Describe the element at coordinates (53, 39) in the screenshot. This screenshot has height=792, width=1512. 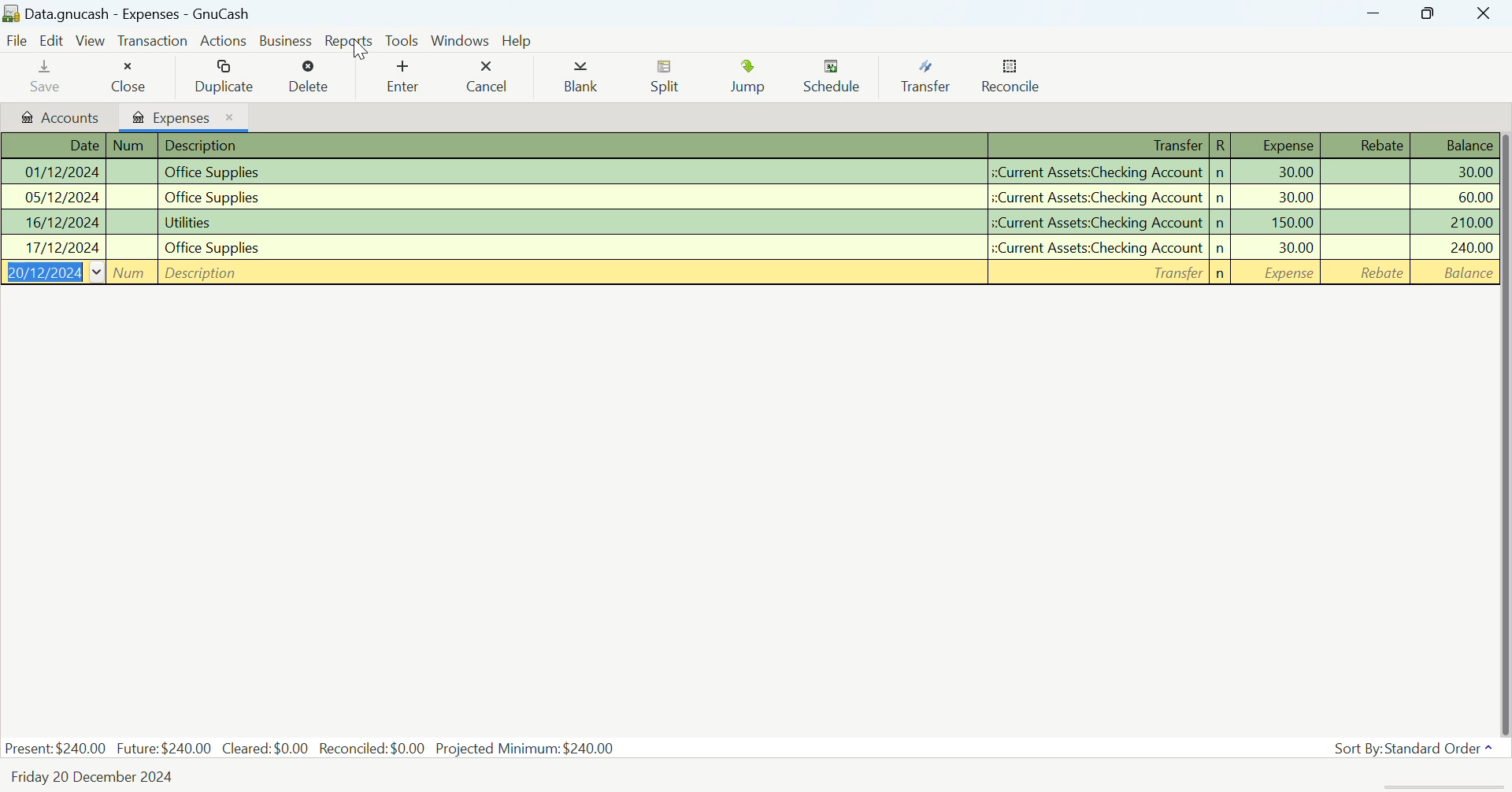
I see `Edit` at that location.